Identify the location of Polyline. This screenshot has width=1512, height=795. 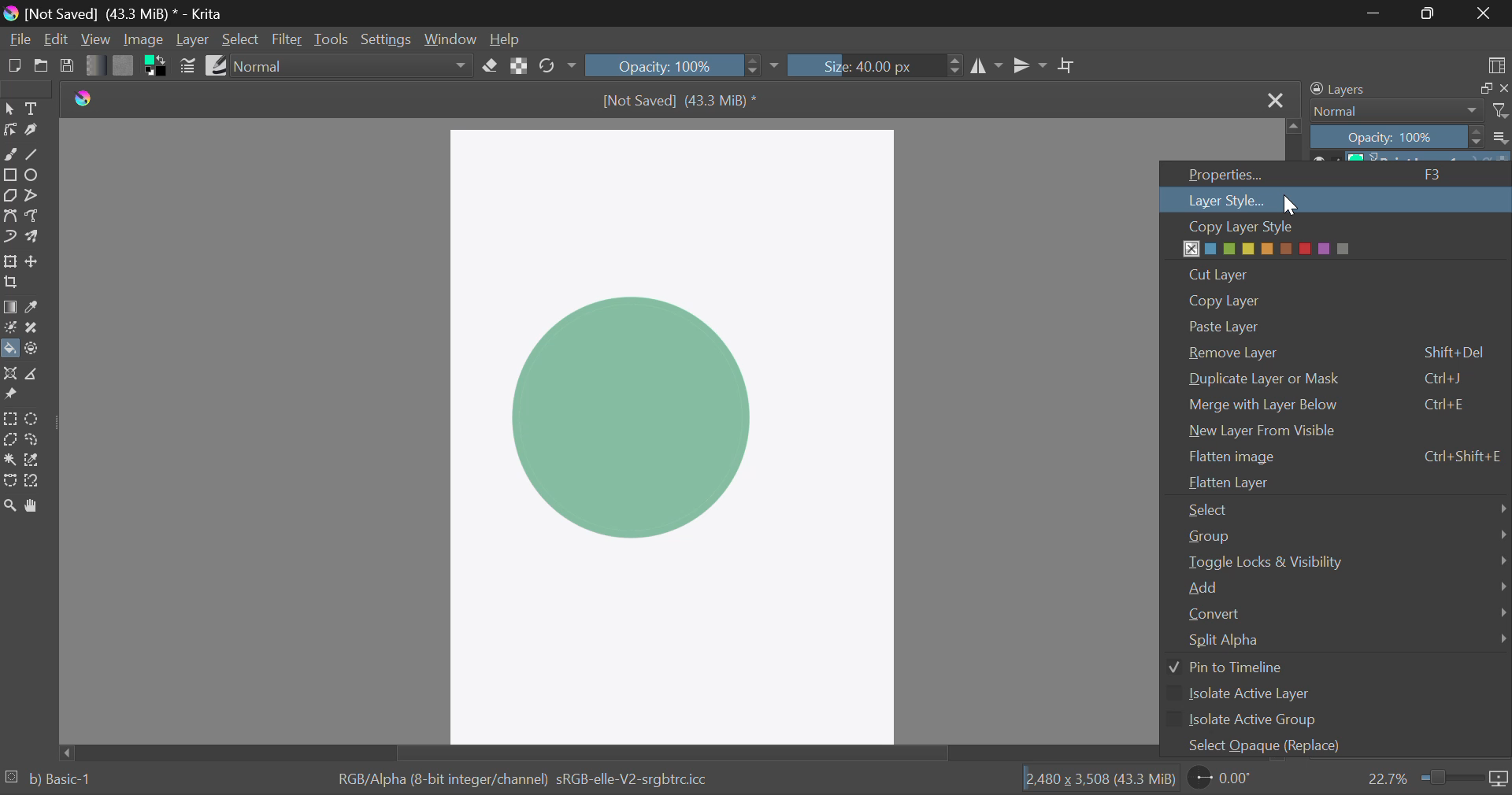
(33, 194).